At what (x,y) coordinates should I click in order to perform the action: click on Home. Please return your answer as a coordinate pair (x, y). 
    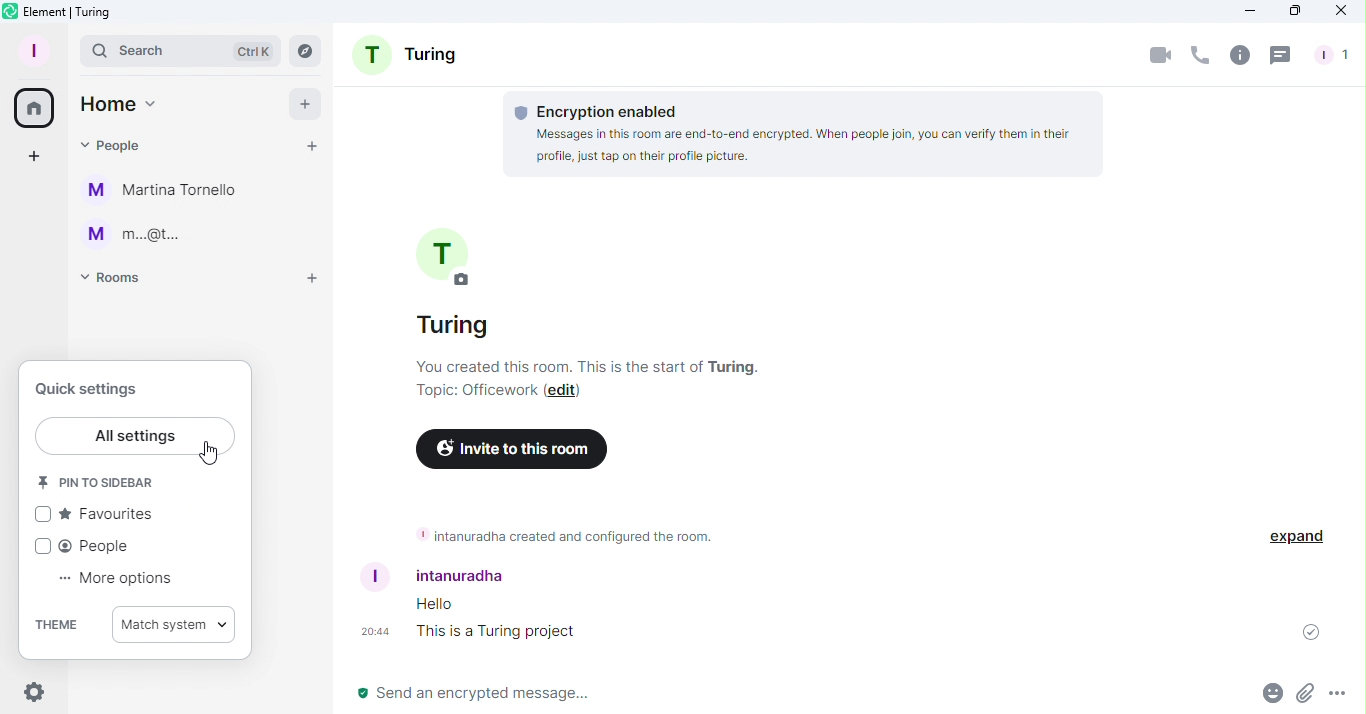
    Looking at the image, I should click on (118, 103).